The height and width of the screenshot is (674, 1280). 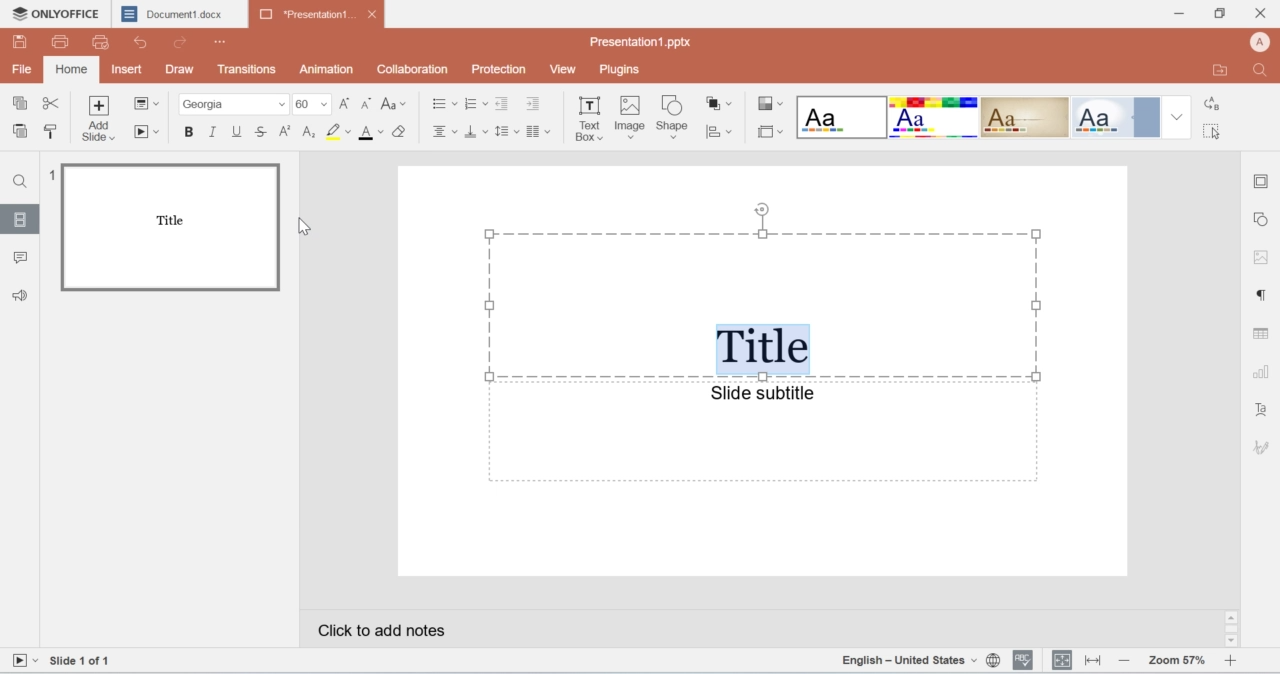 I want to click on add slide, so click(x=101, y=120).